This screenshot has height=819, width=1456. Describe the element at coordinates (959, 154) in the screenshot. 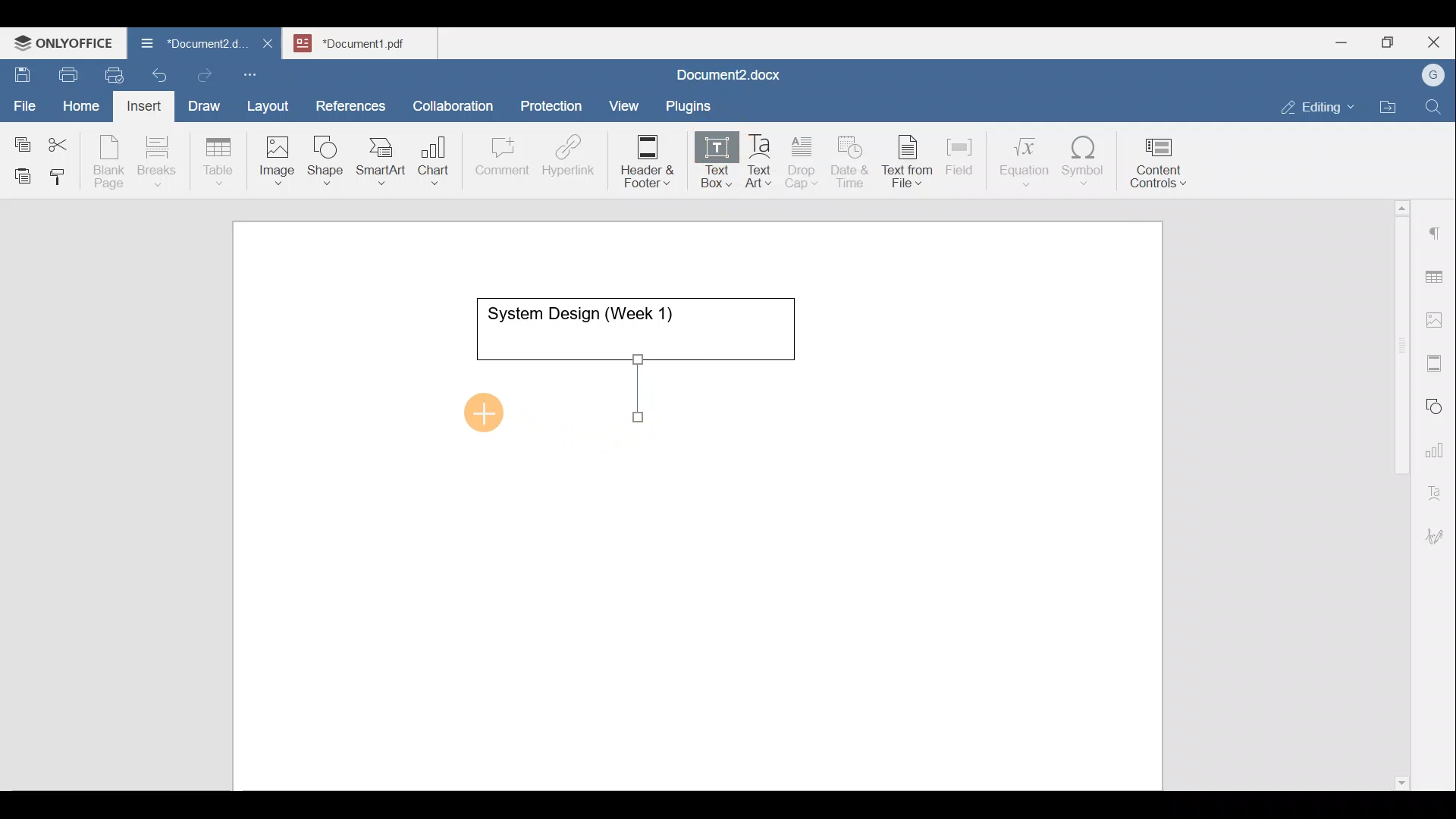

I see `Field` at that location.